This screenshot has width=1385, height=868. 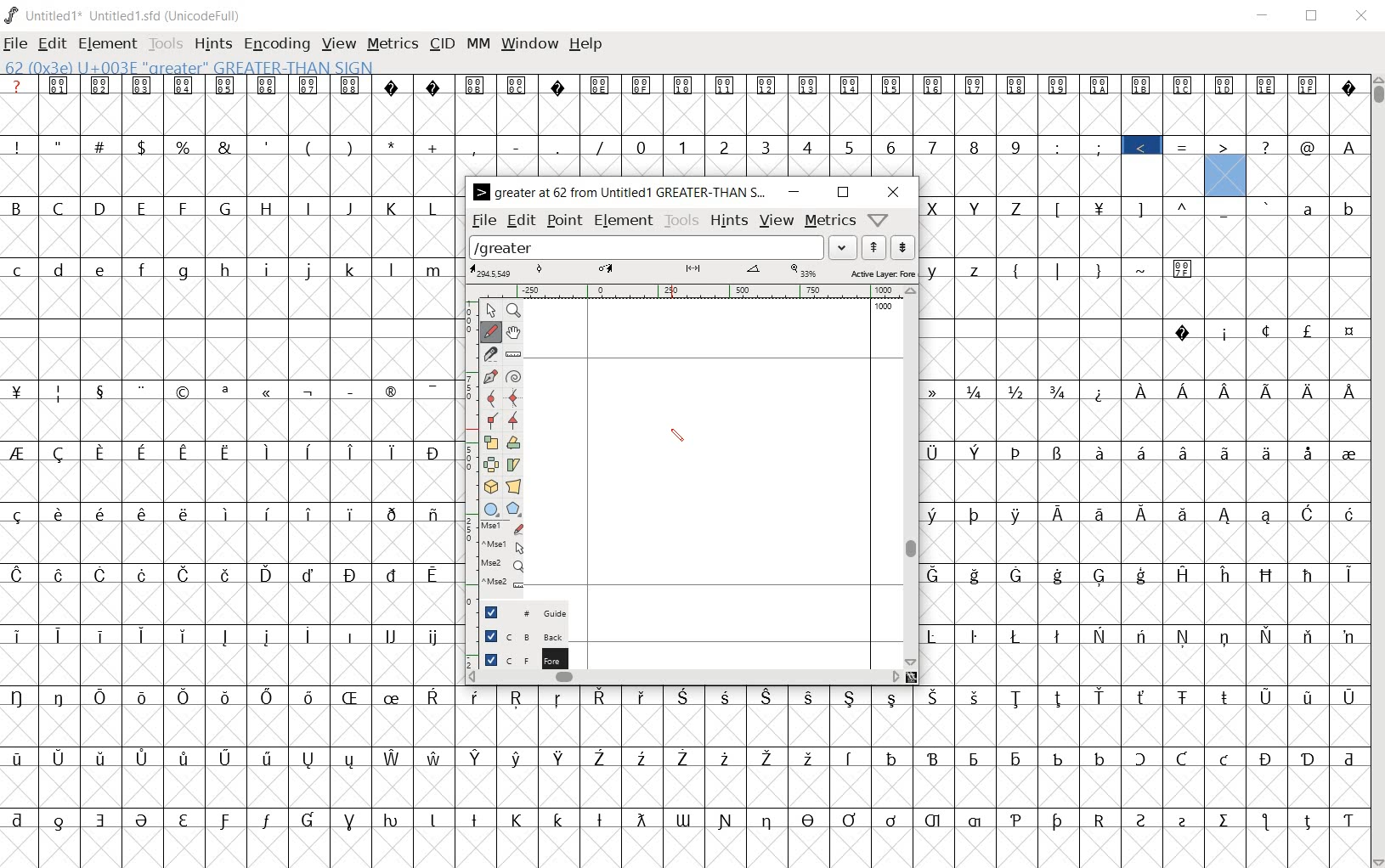 I want to click on restore down, so click(x=1313, y=15).